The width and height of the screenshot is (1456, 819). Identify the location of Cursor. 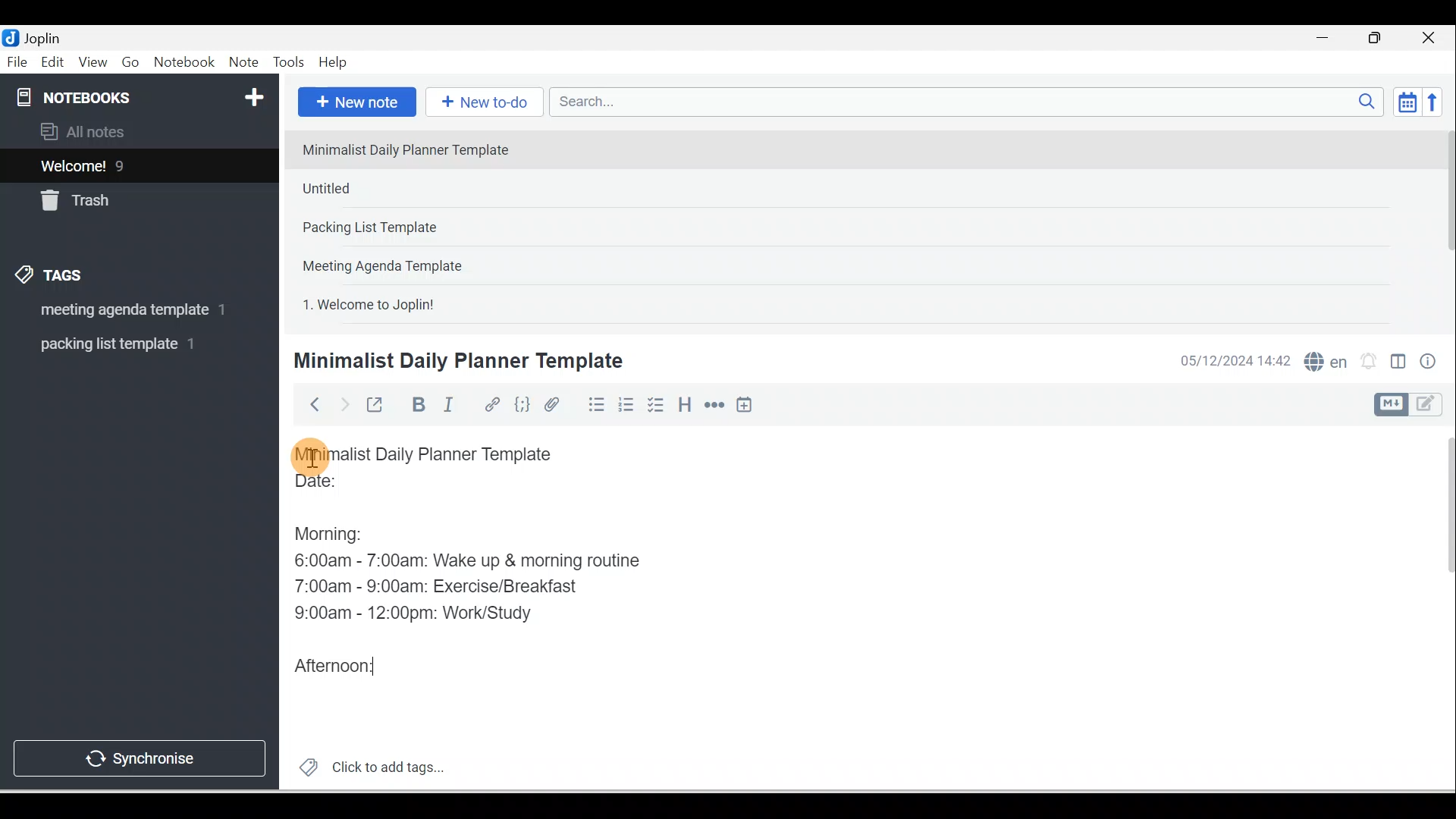
(311, 455).